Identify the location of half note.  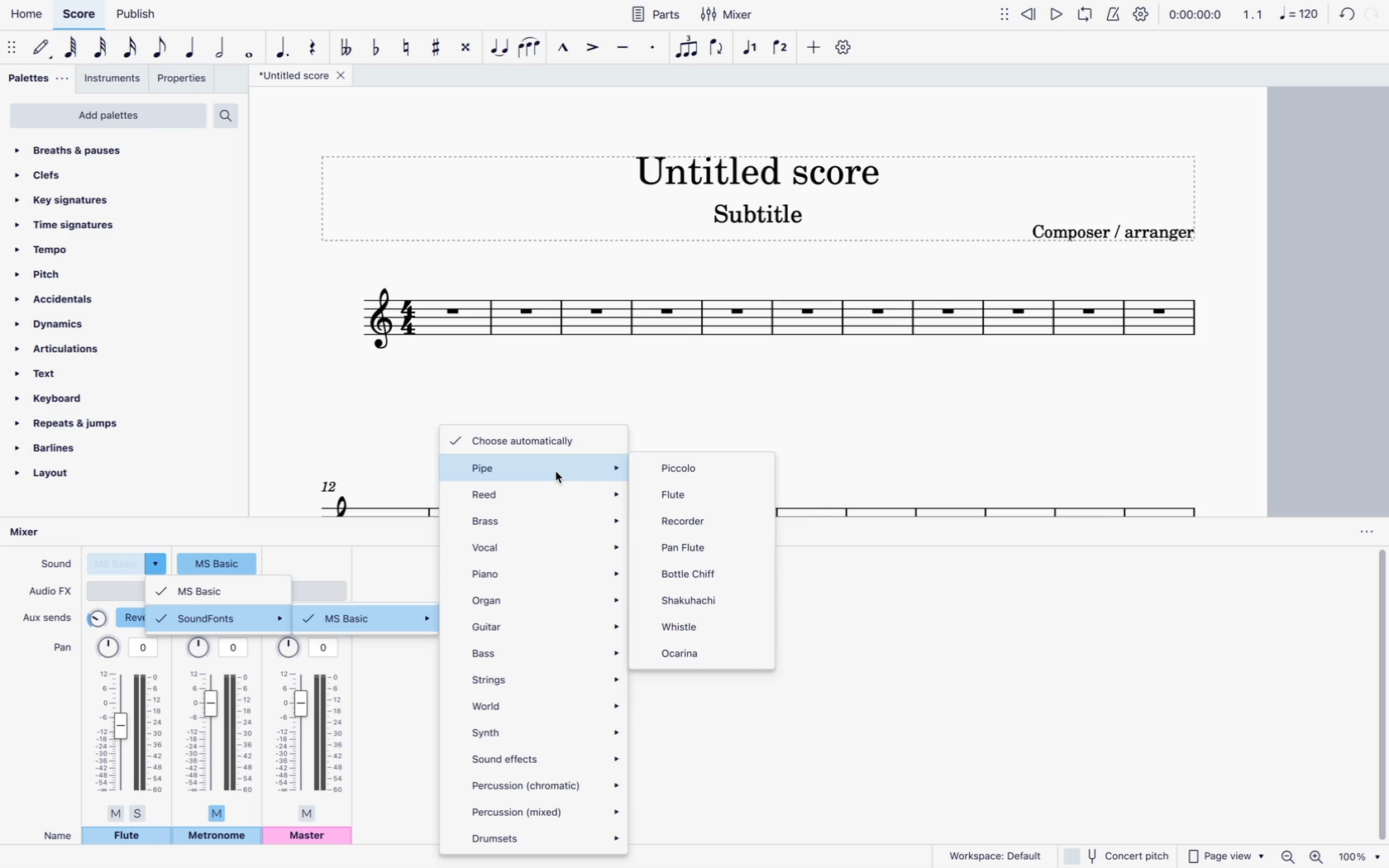
(222, 49).